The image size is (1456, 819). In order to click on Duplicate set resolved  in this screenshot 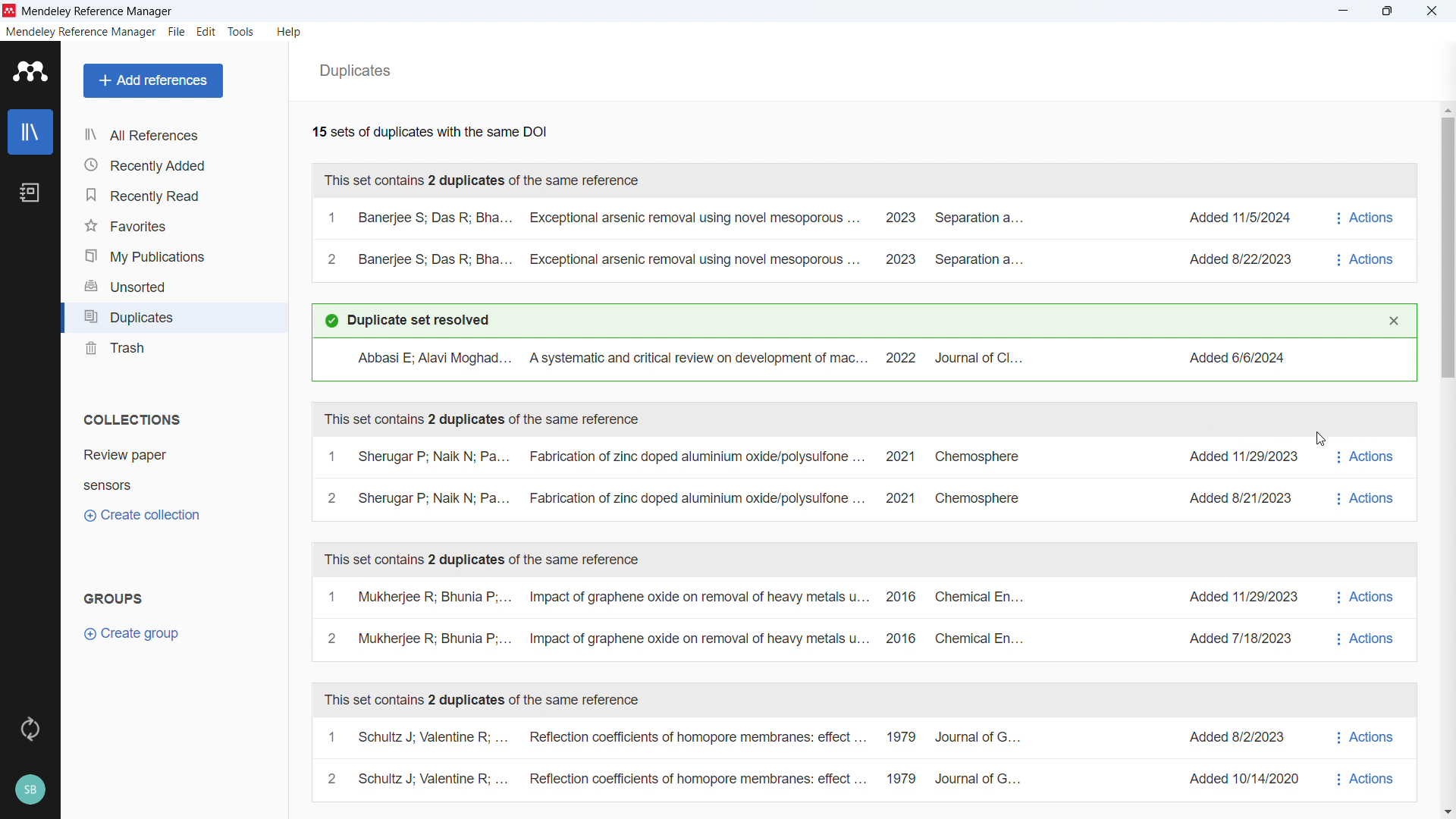, I will do `click(408, 321)`.